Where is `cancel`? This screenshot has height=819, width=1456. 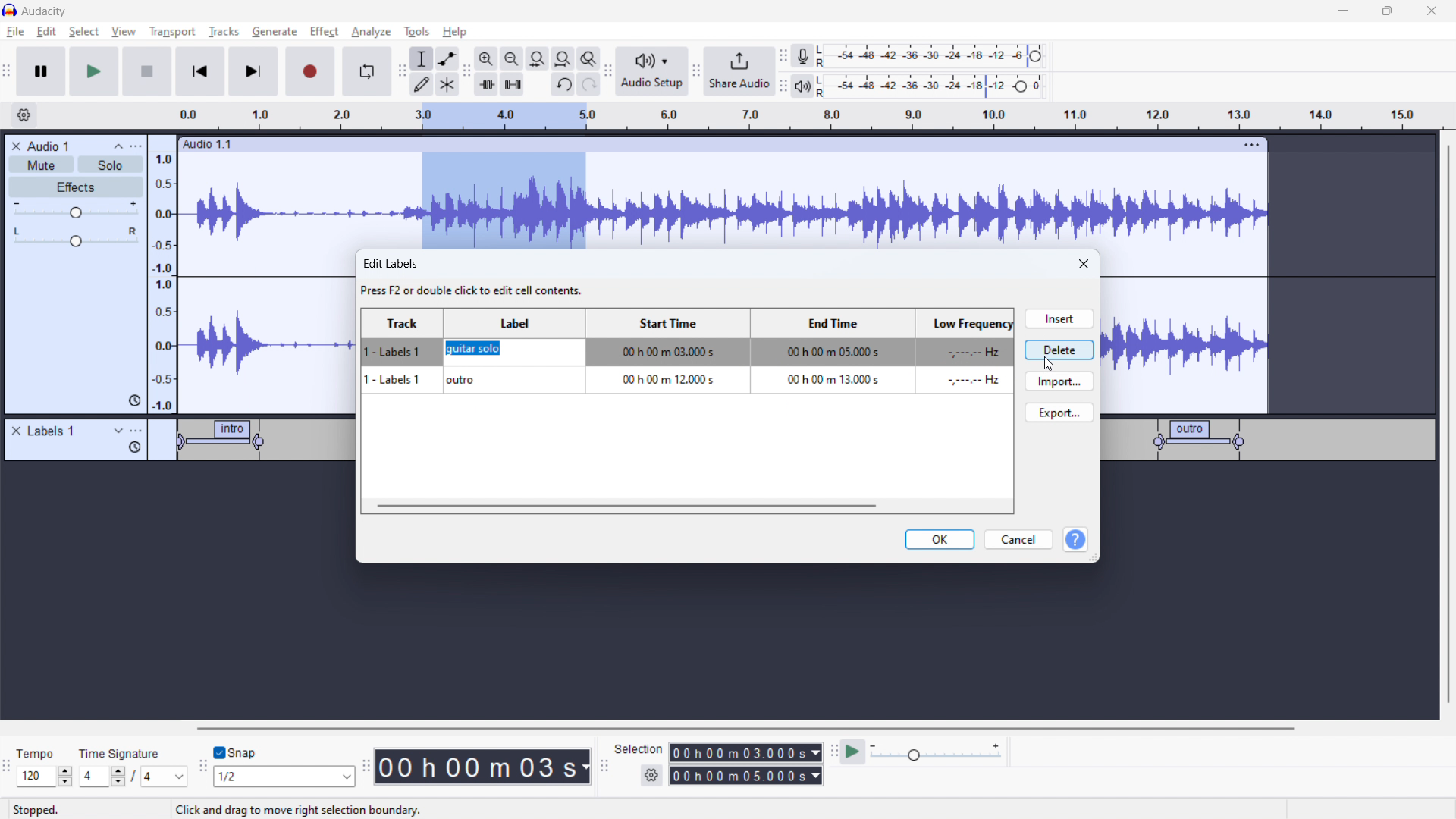
cancel is located at coordinates (1018, 540).